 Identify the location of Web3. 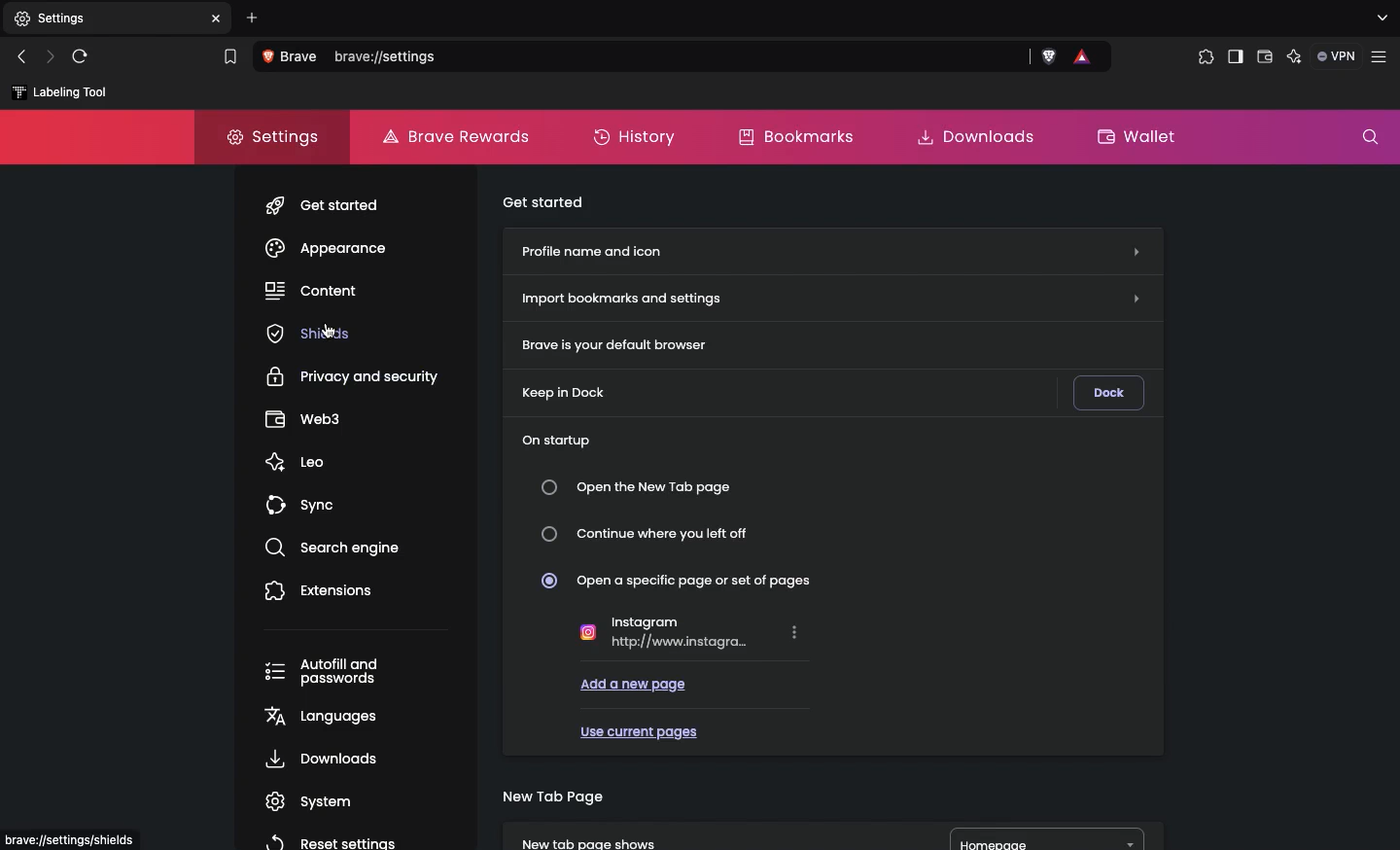
(301, 418).